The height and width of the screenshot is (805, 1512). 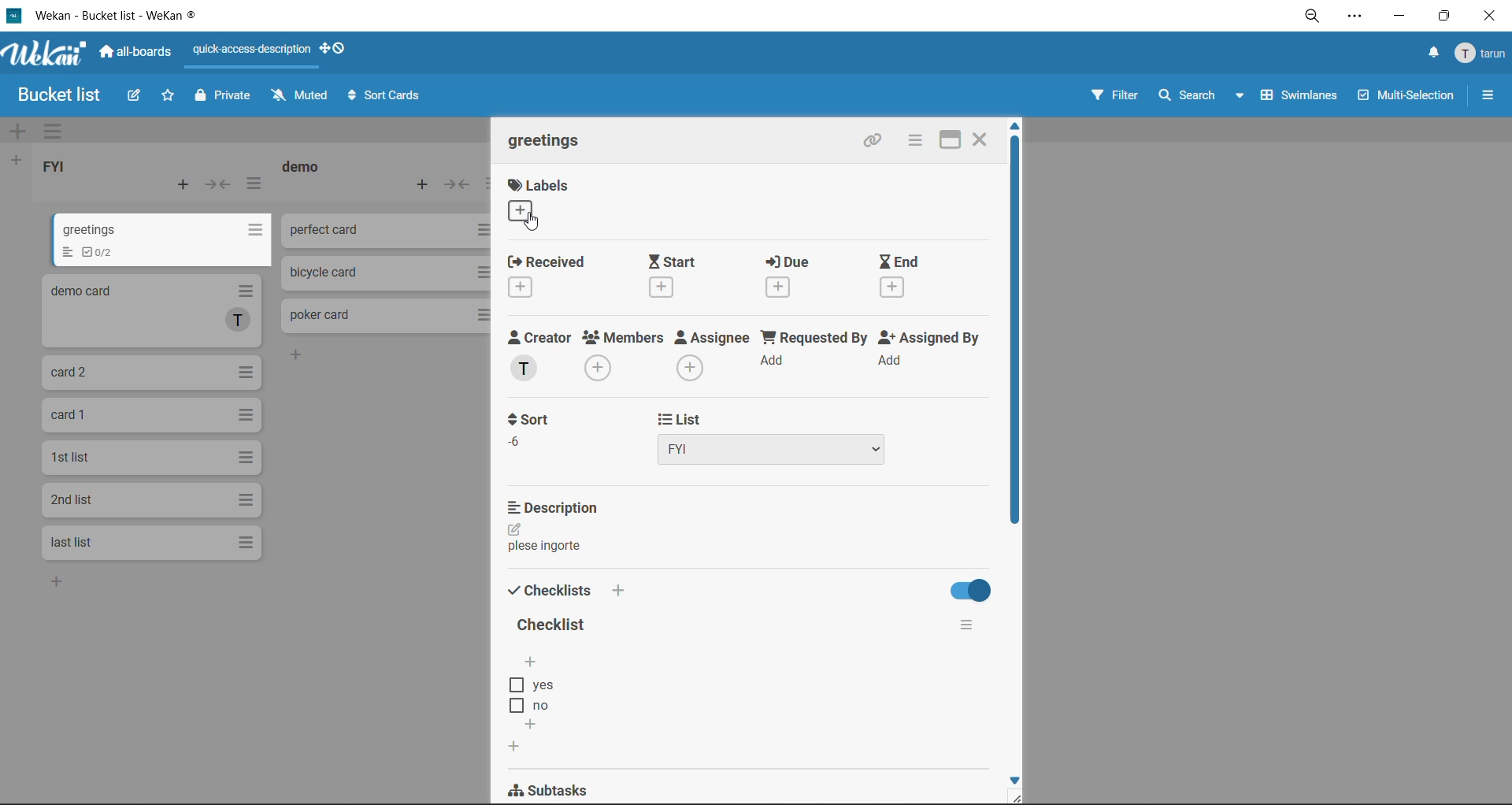 What do you see at coordinates (1434, 54) in the screenshot?
I see `notifications` at bounding box center [1434, 54].